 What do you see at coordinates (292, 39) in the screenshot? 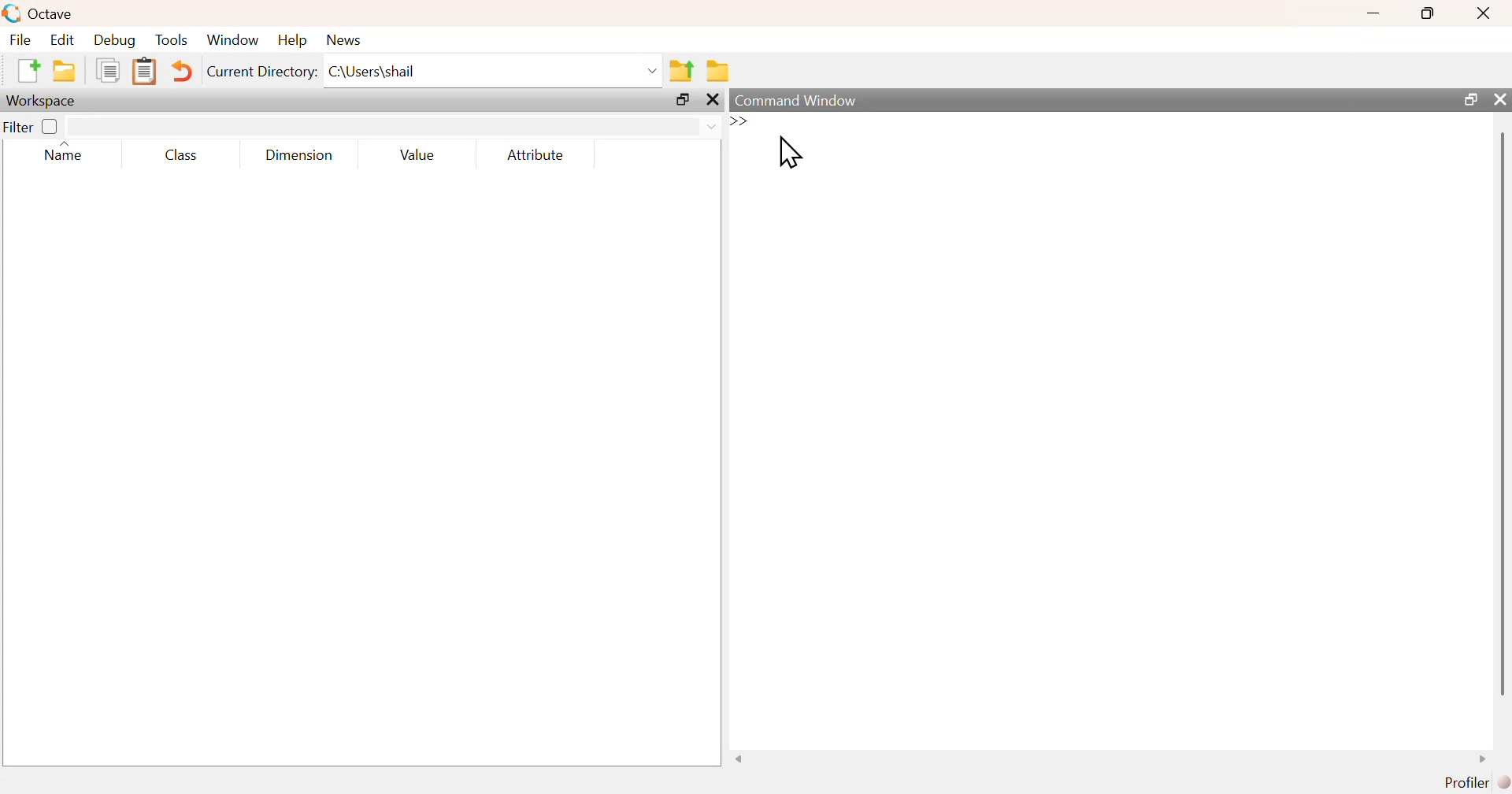
I see `Help` at bounding box center [292, 39].